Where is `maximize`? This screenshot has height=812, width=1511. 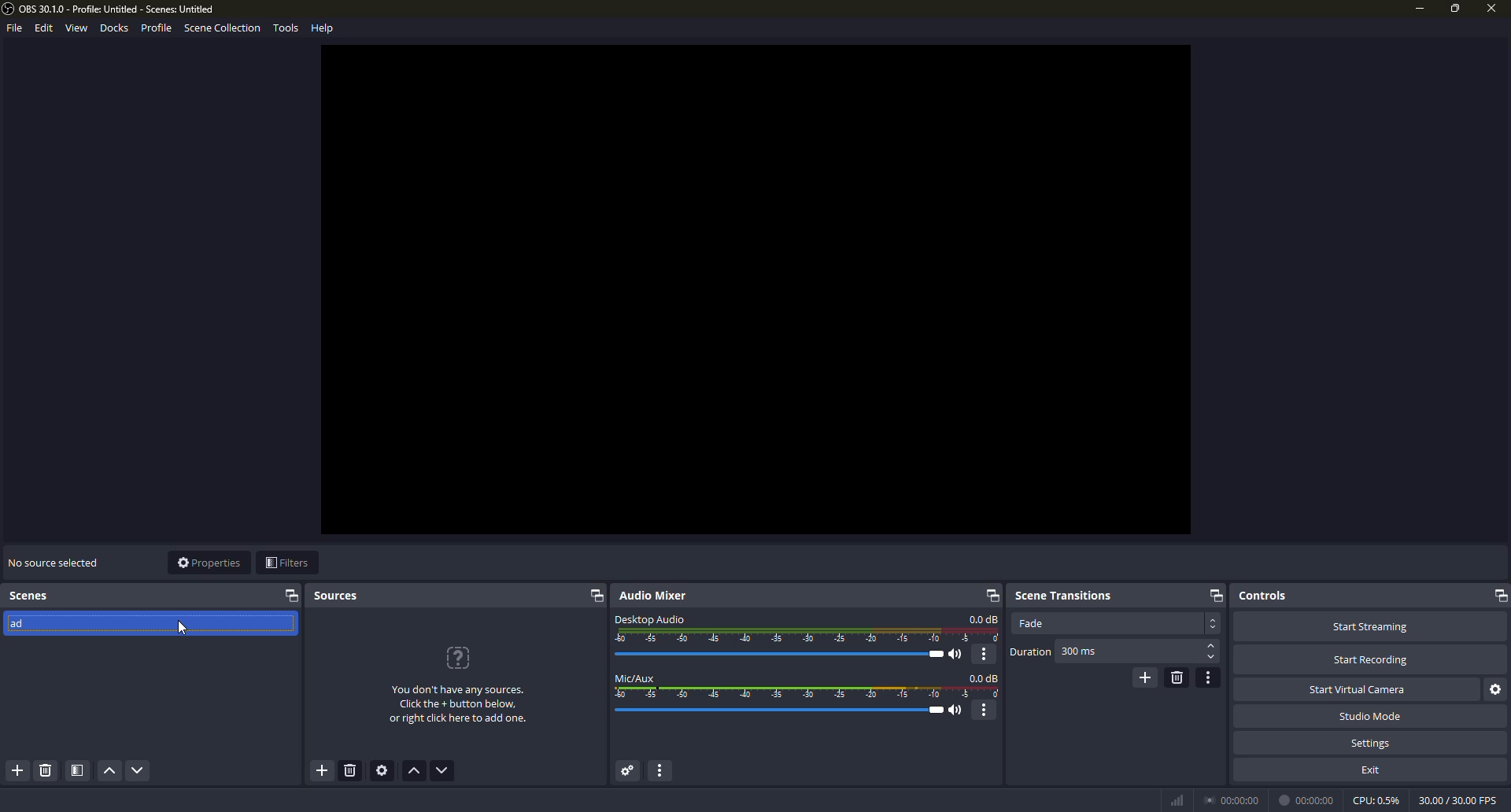
maximize is located at coordinates (1455, 8).